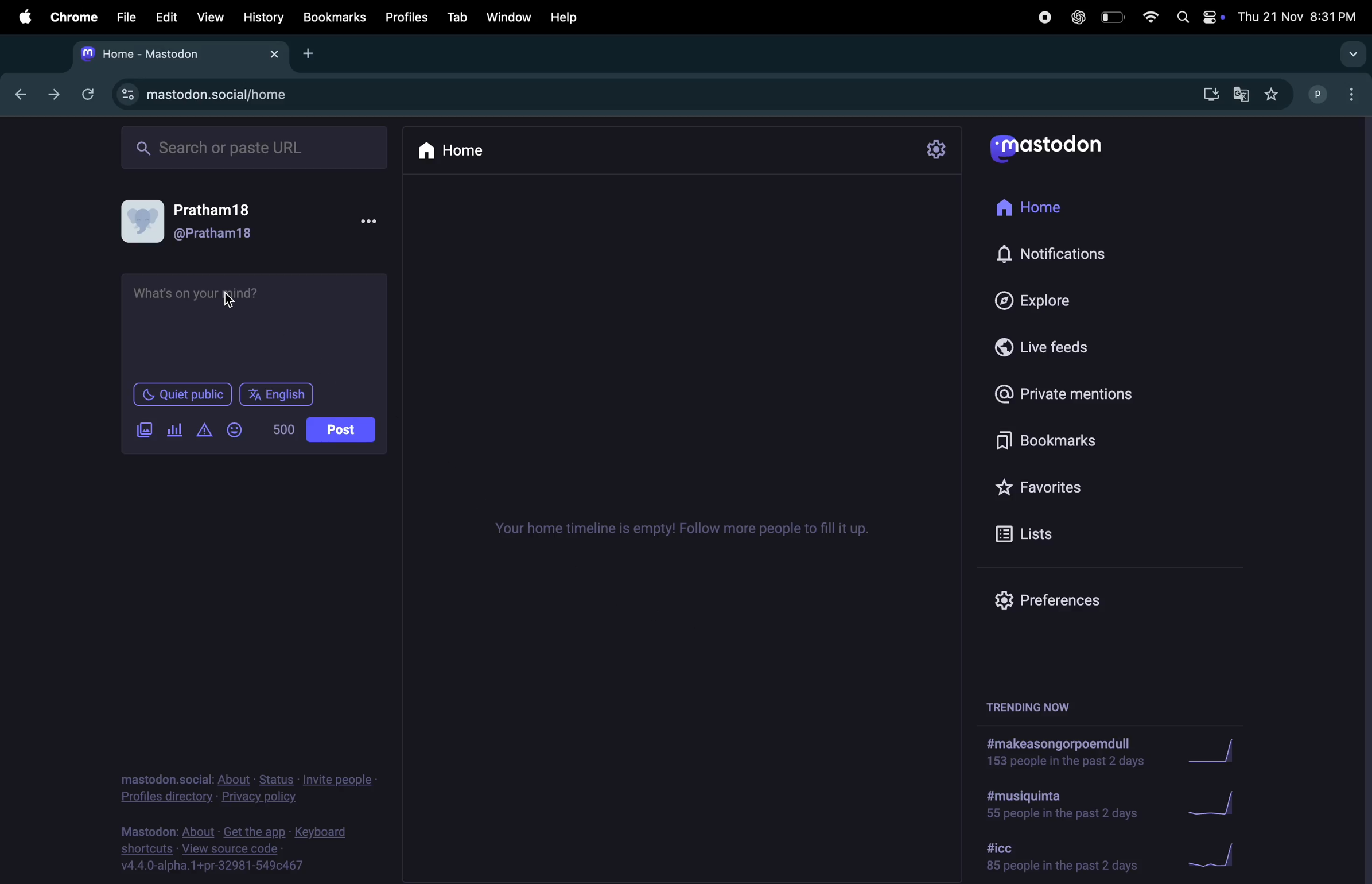 The height and width of the screenshot is (884, 1372). What do you see at coordinates (1061, 855) in the screenshot?
I see `hashtag` at bounding box center [1061, 855].